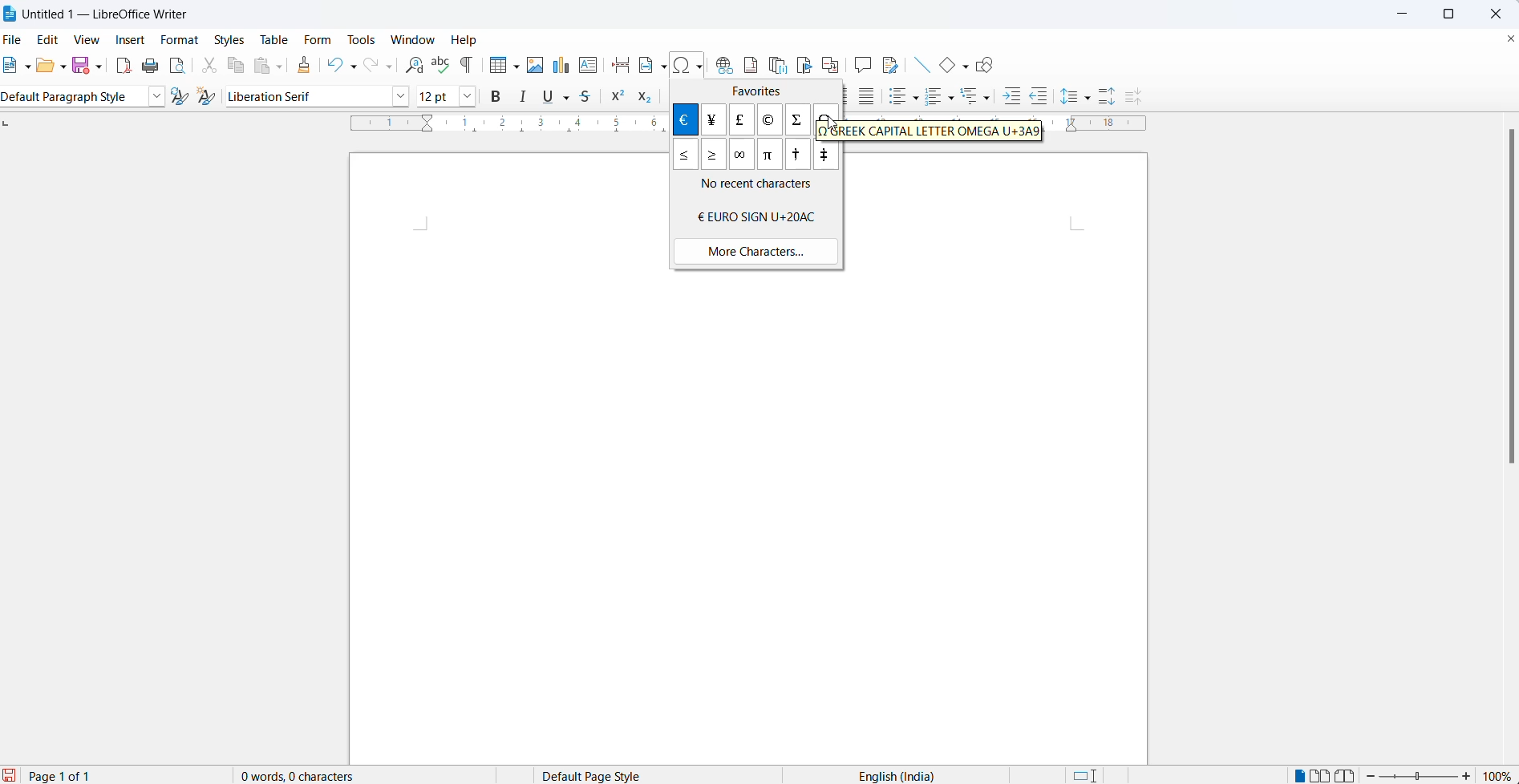 The image size is (1519, 784). I want to click on styles, so click(229, 39).